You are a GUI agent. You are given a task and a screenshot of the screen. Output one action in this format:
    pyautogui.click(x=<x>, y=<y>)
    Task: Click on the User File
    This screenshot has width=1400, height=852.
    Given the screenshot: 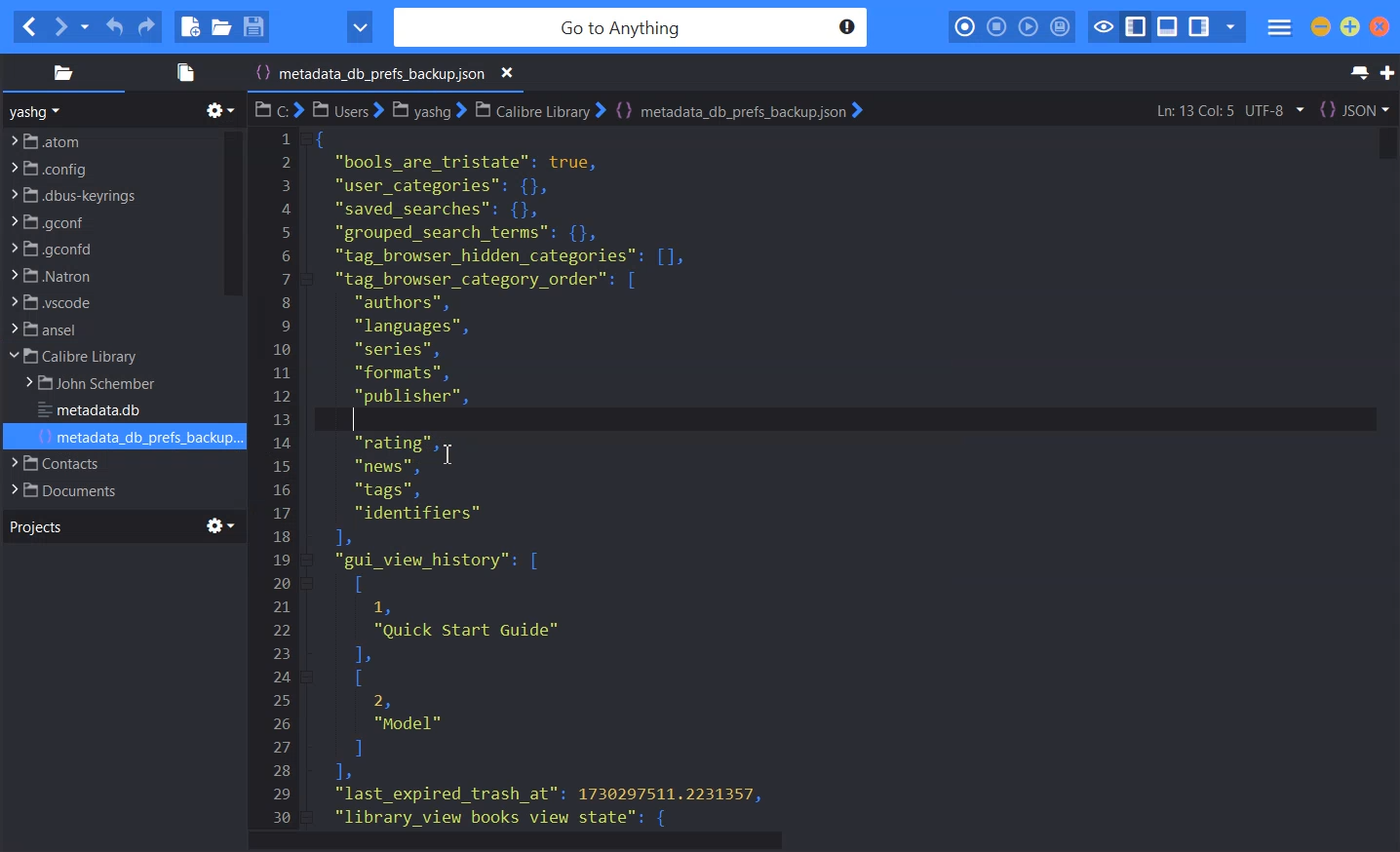 What is the action you would take?
    pyautogui.click(x=348, y=109)
    